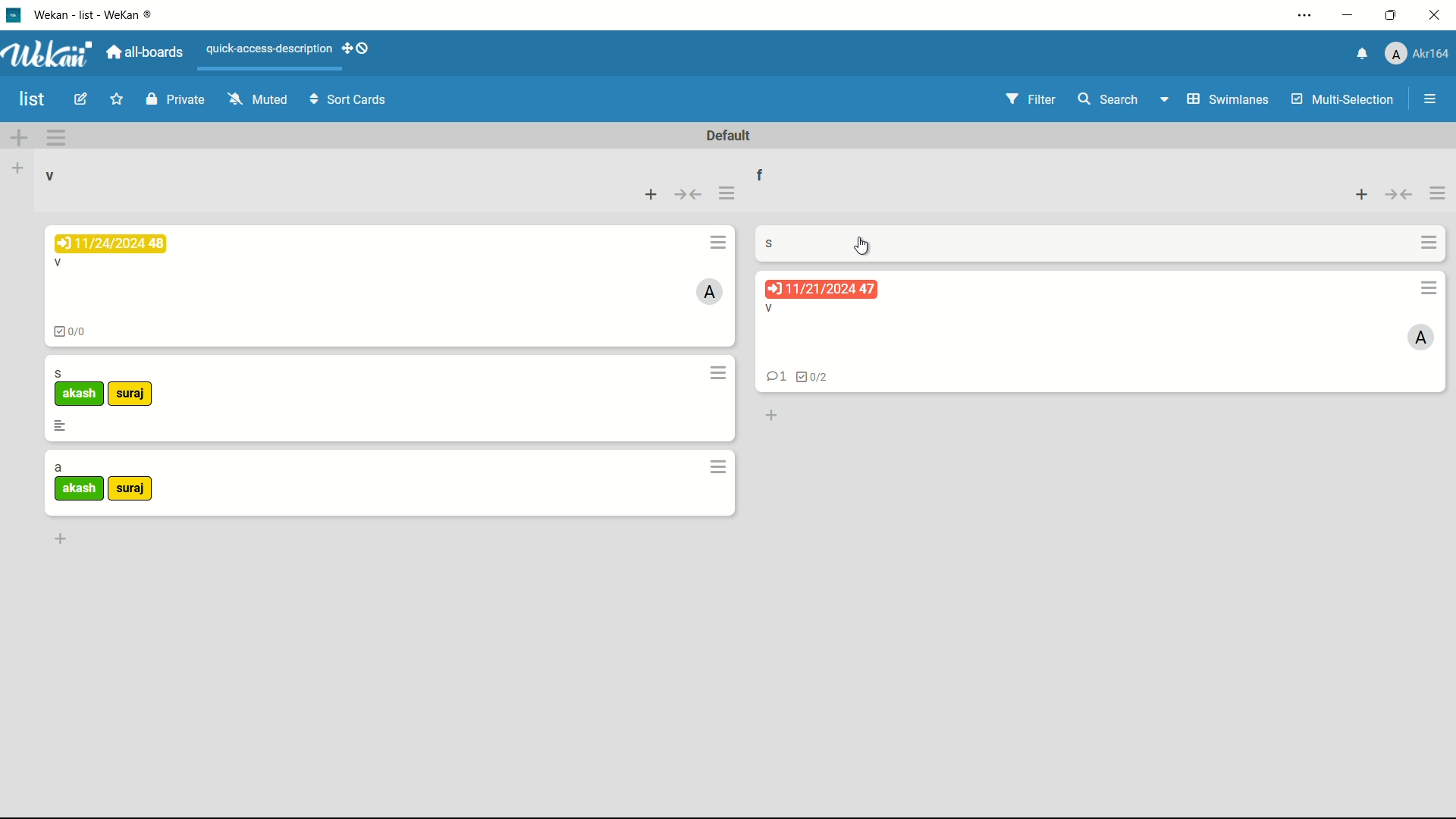 Image resolution: width=1456 pixels, height=819 pixels. I want to click on minimize, so click(1348, 17).